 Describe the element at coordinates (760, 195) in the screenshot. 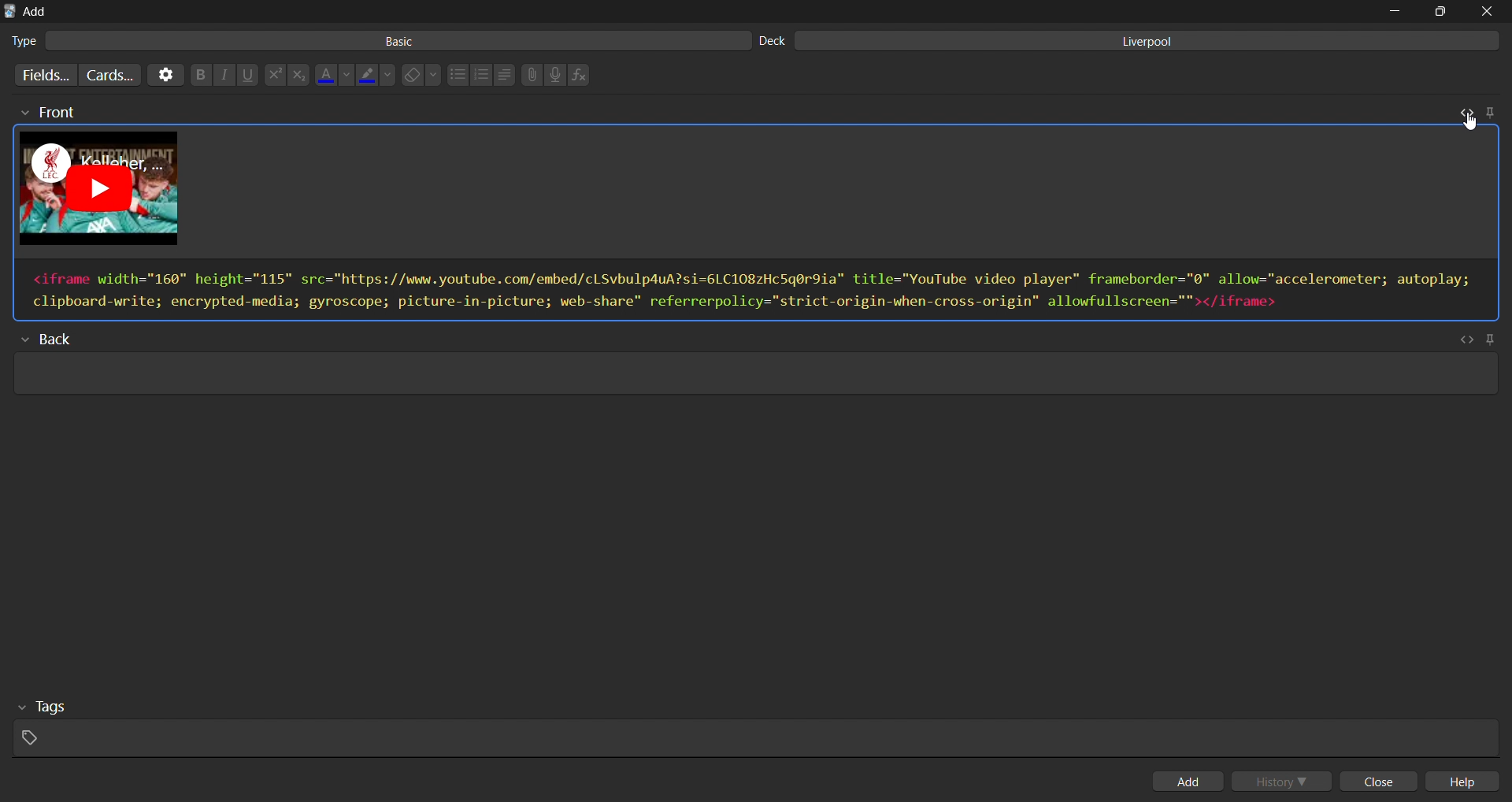

I see `card preview` at that location.